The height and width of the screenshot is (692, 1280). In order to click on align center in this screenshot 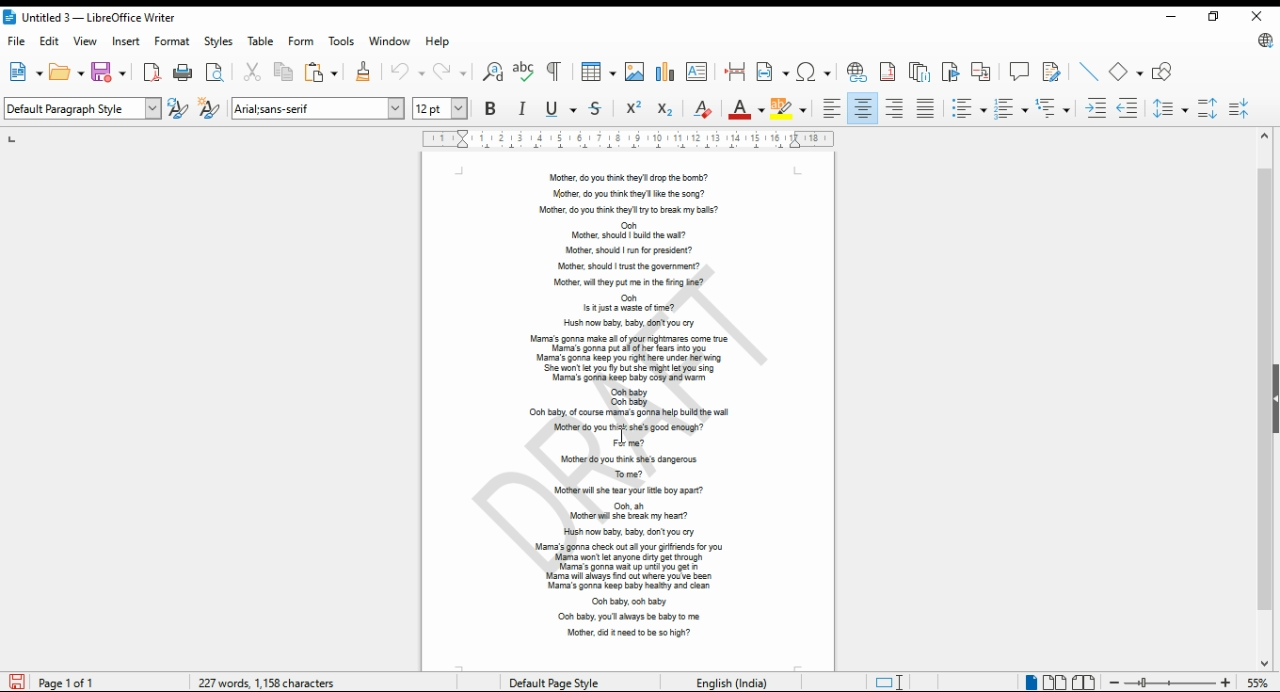, I will do `click(862, 108)`.